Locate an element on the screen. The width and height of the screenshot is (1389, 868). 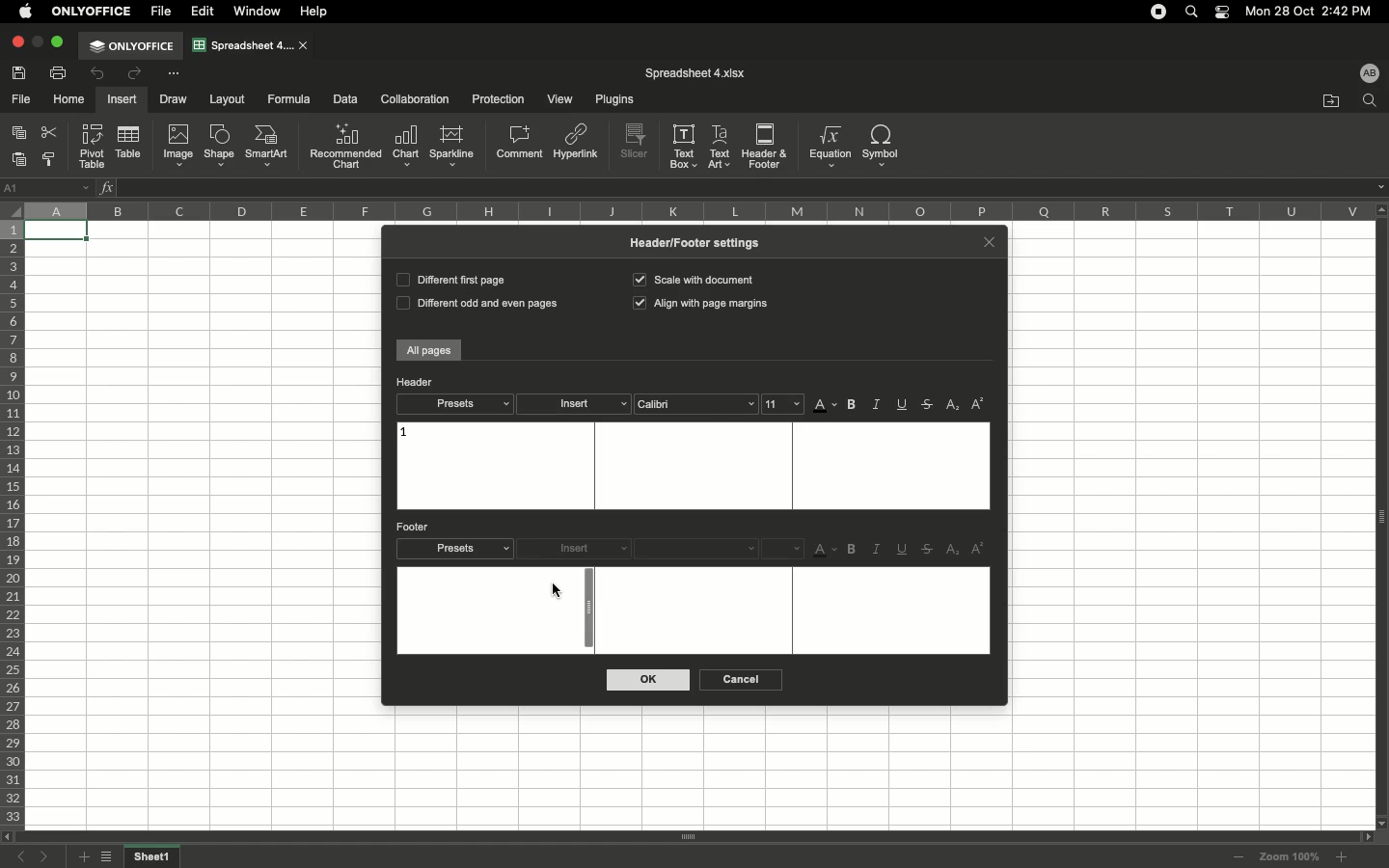
Copy is located at coordinates (21, 134).